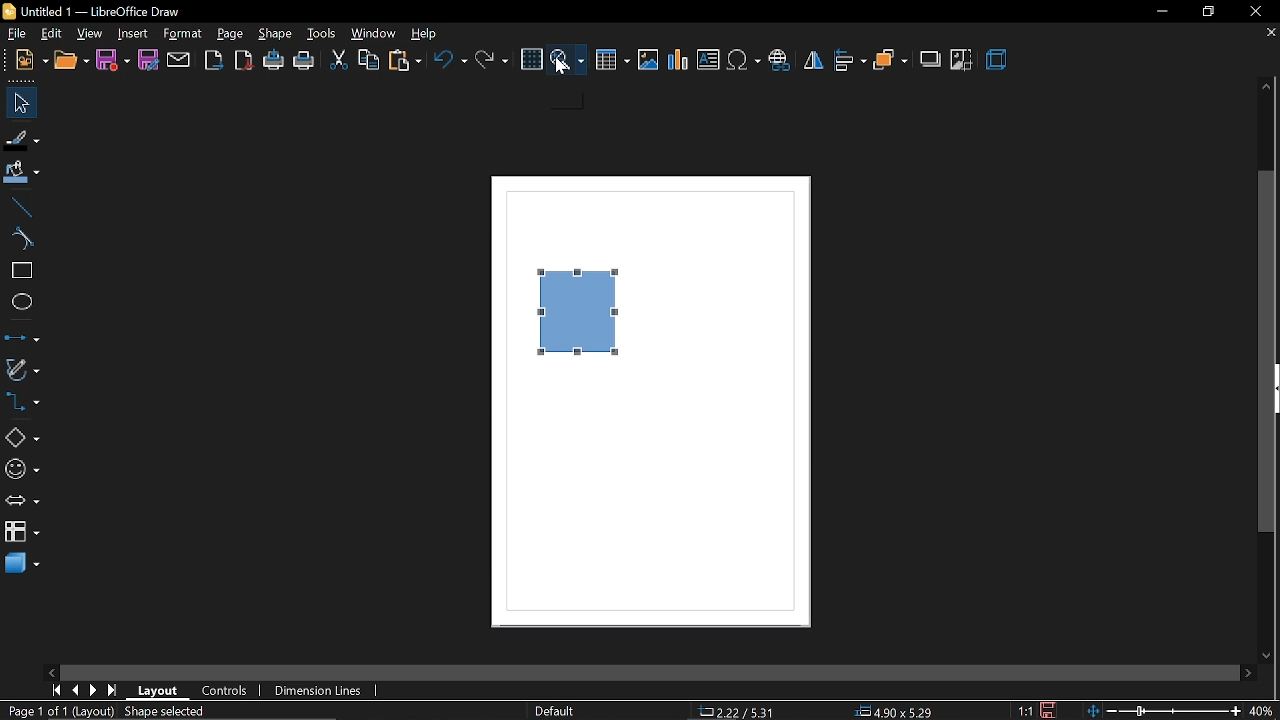 This screenshot has width=1280, height=720. I want to click on curves and polygons, so click(21, 368).